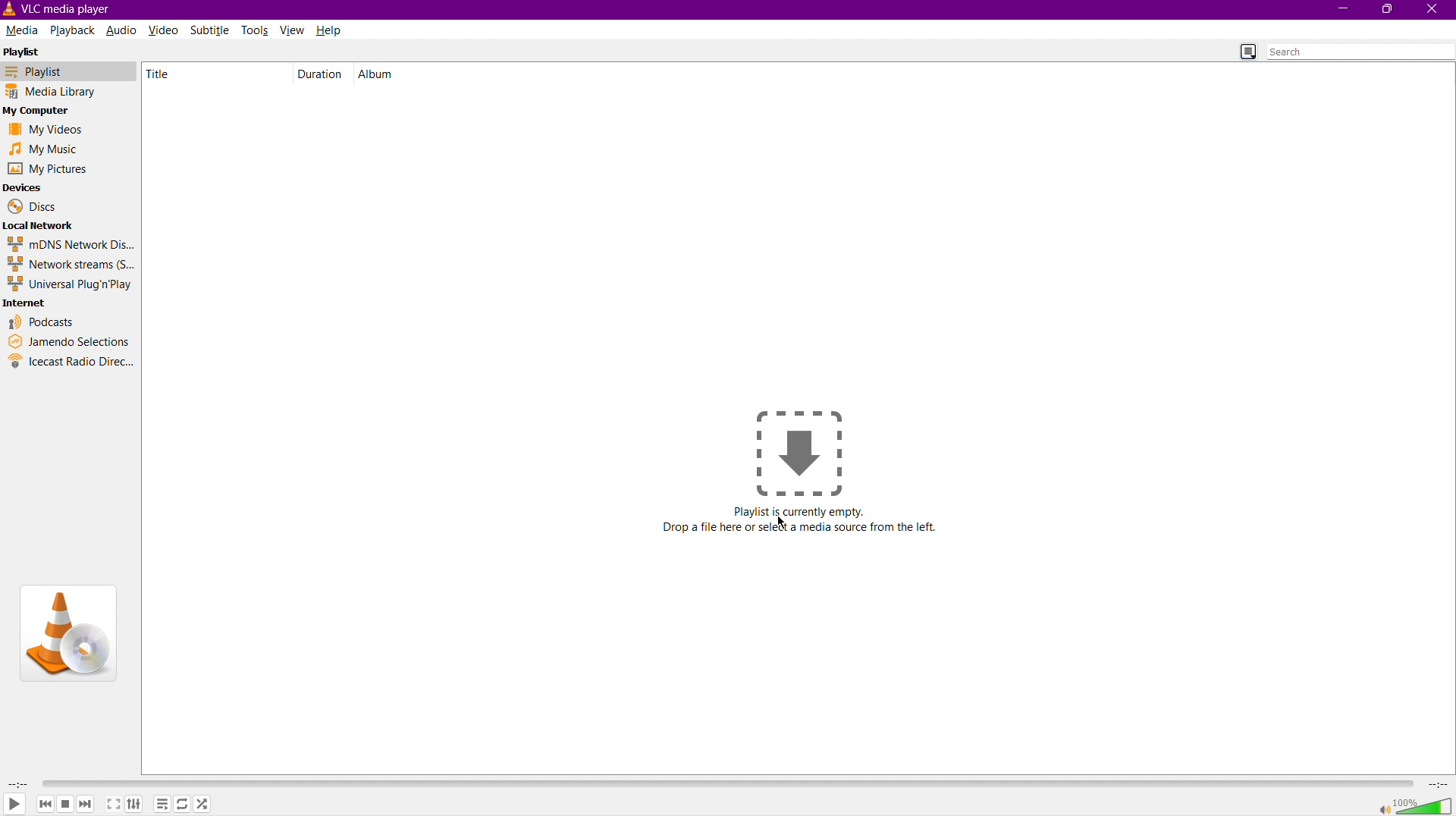  Describe the element at coordinates (1436, 11) in the screenshot. I see `Close` at that location.